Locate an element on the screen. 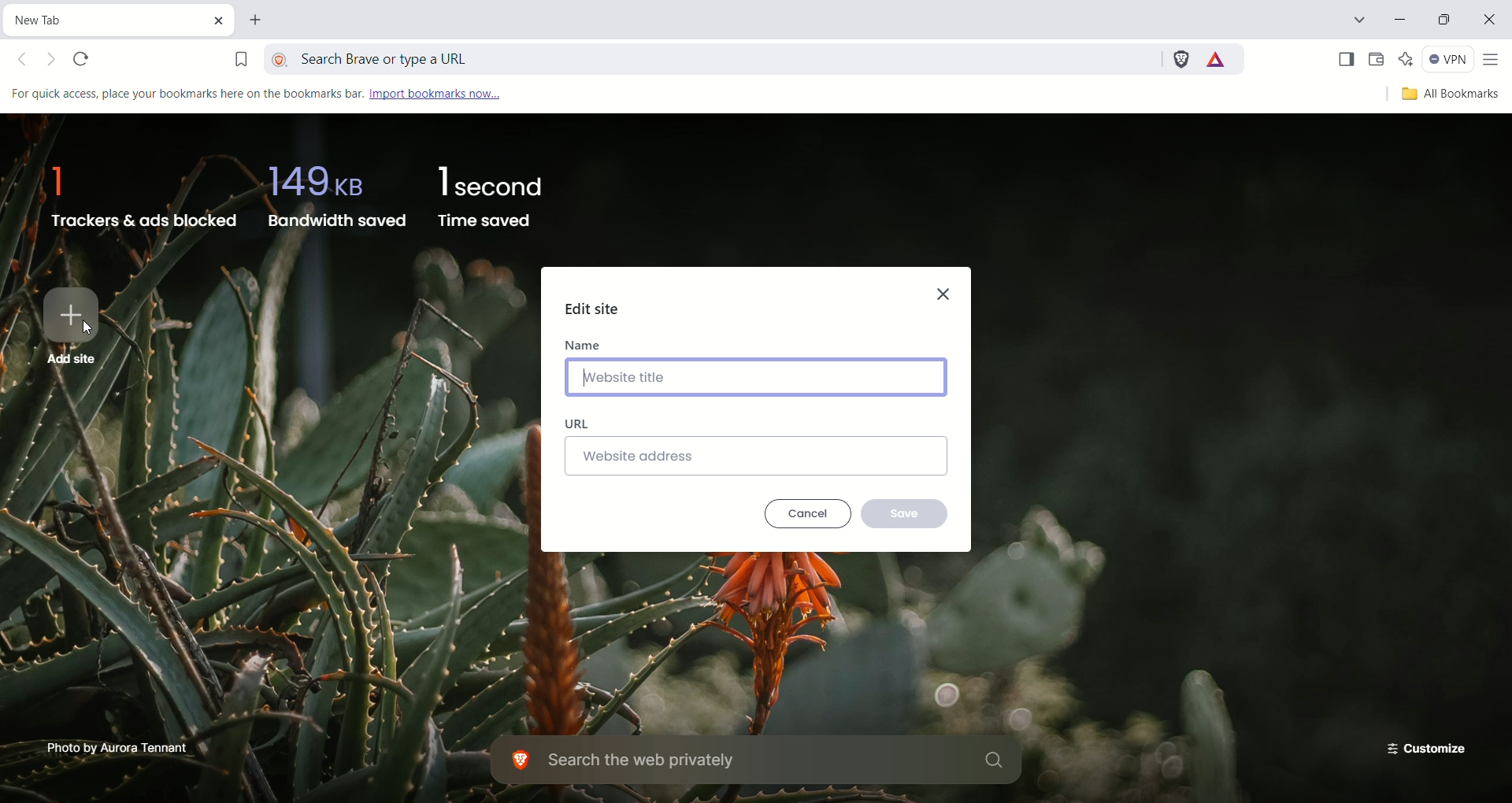 The image size is (1512, 803). VPN is located at coordinates (1448, 61).